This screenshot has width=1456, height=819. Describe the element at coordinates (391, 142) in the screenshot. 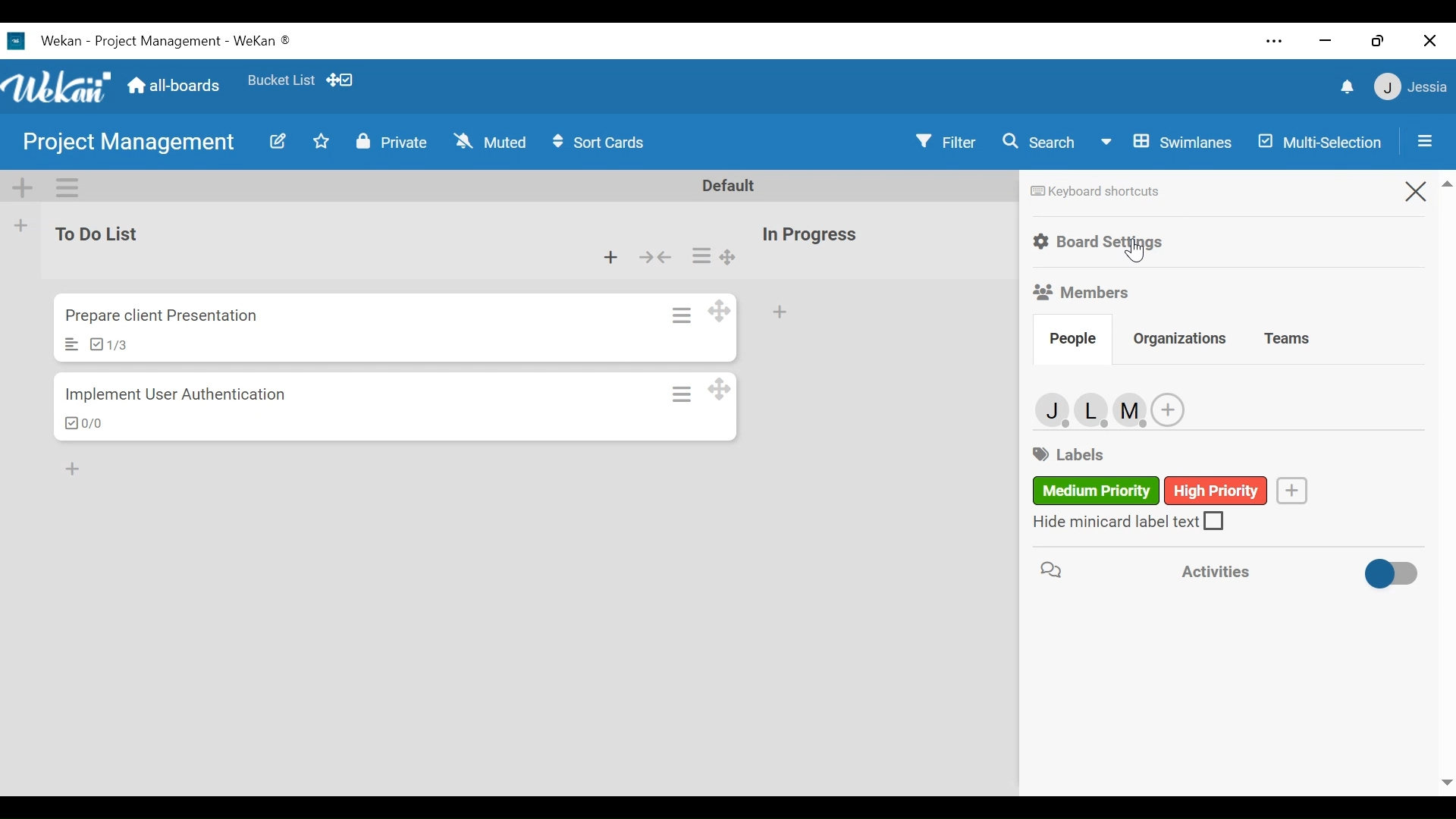

I see `Private` at that location.